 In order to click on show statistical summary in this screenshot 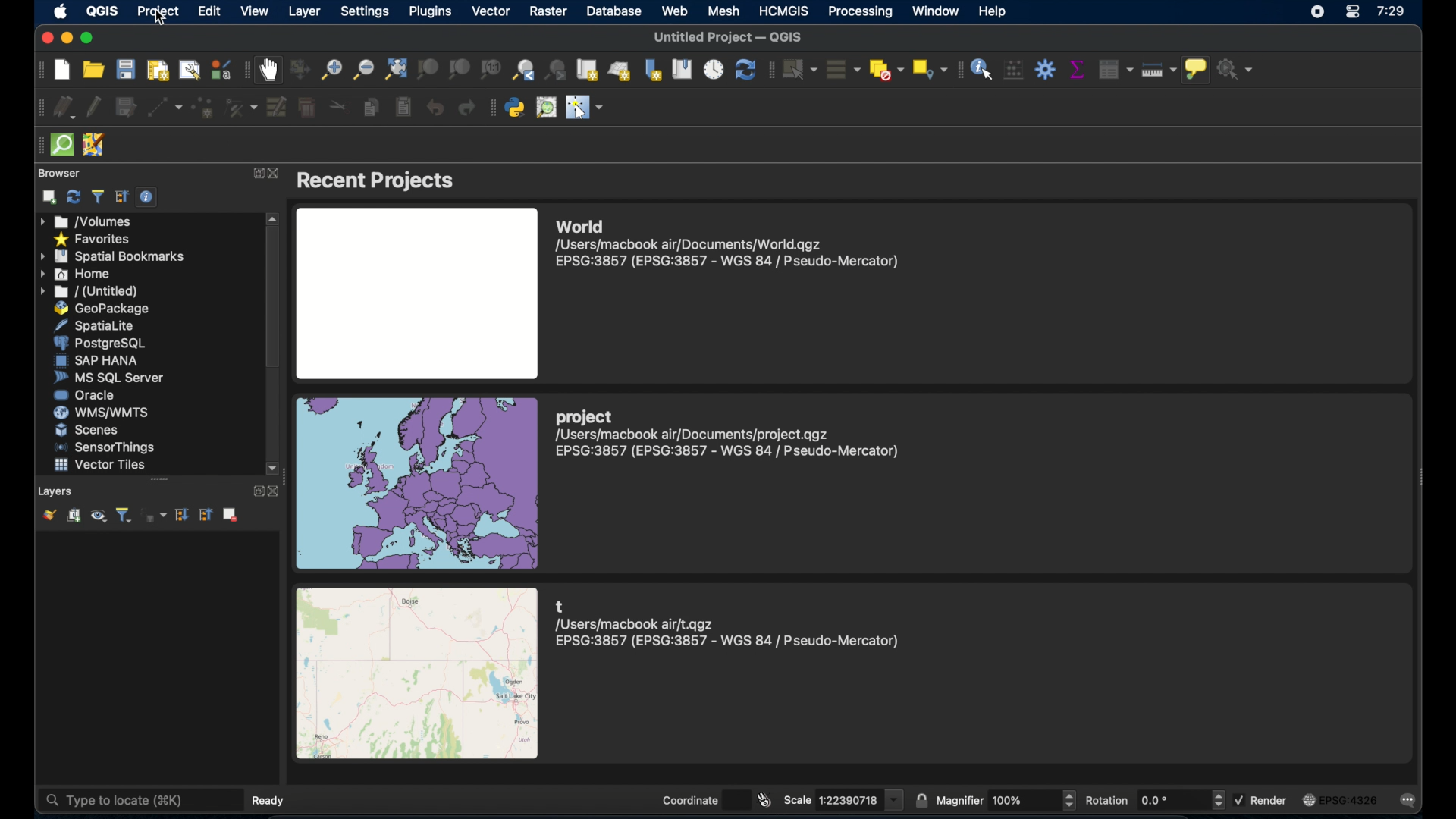, I will do `click(1080, 67)`.